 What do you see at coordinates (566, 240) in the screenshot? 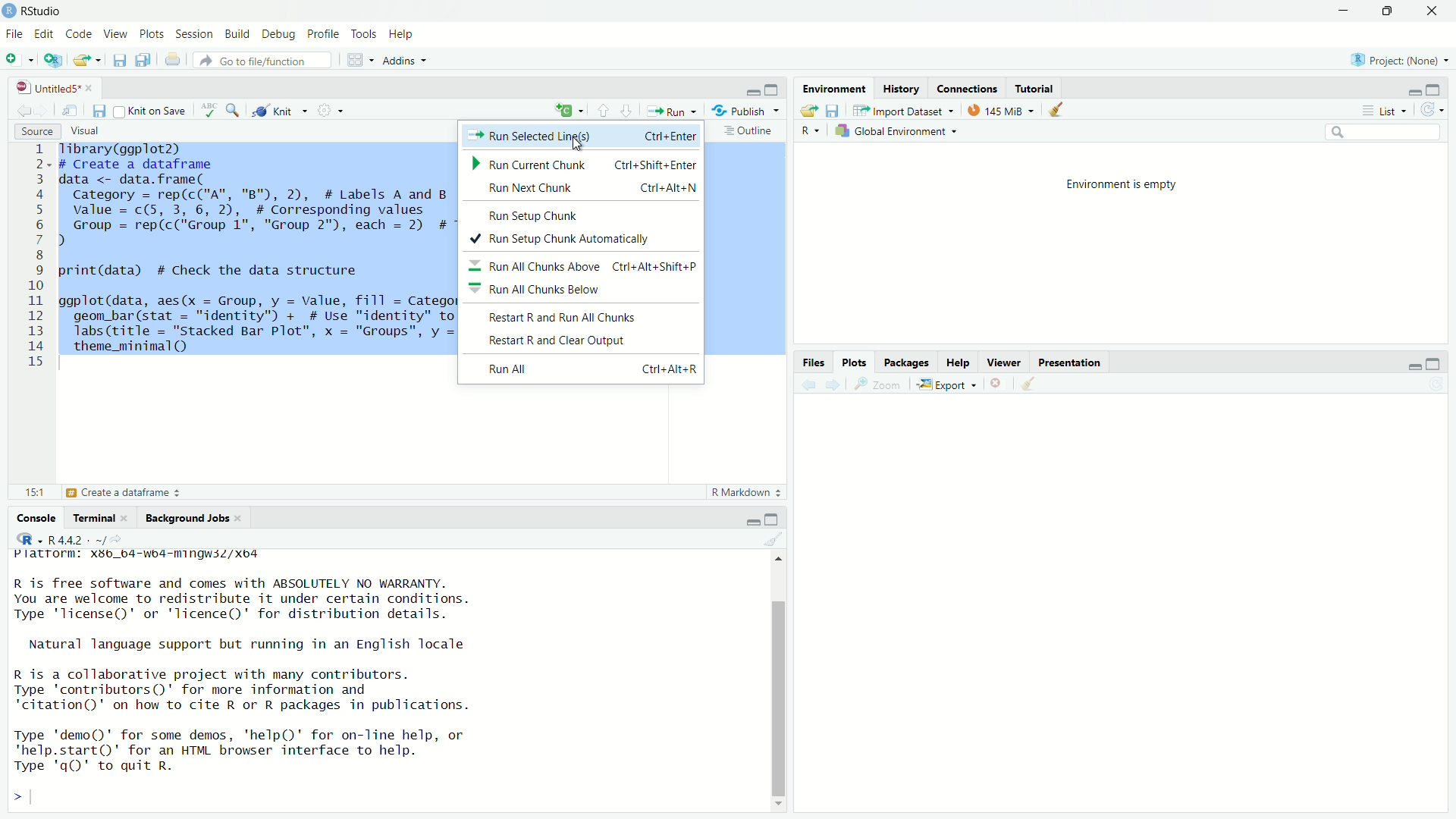
I see `+ Run Setup Chunk Automatically` at bounding box center [566, 240].